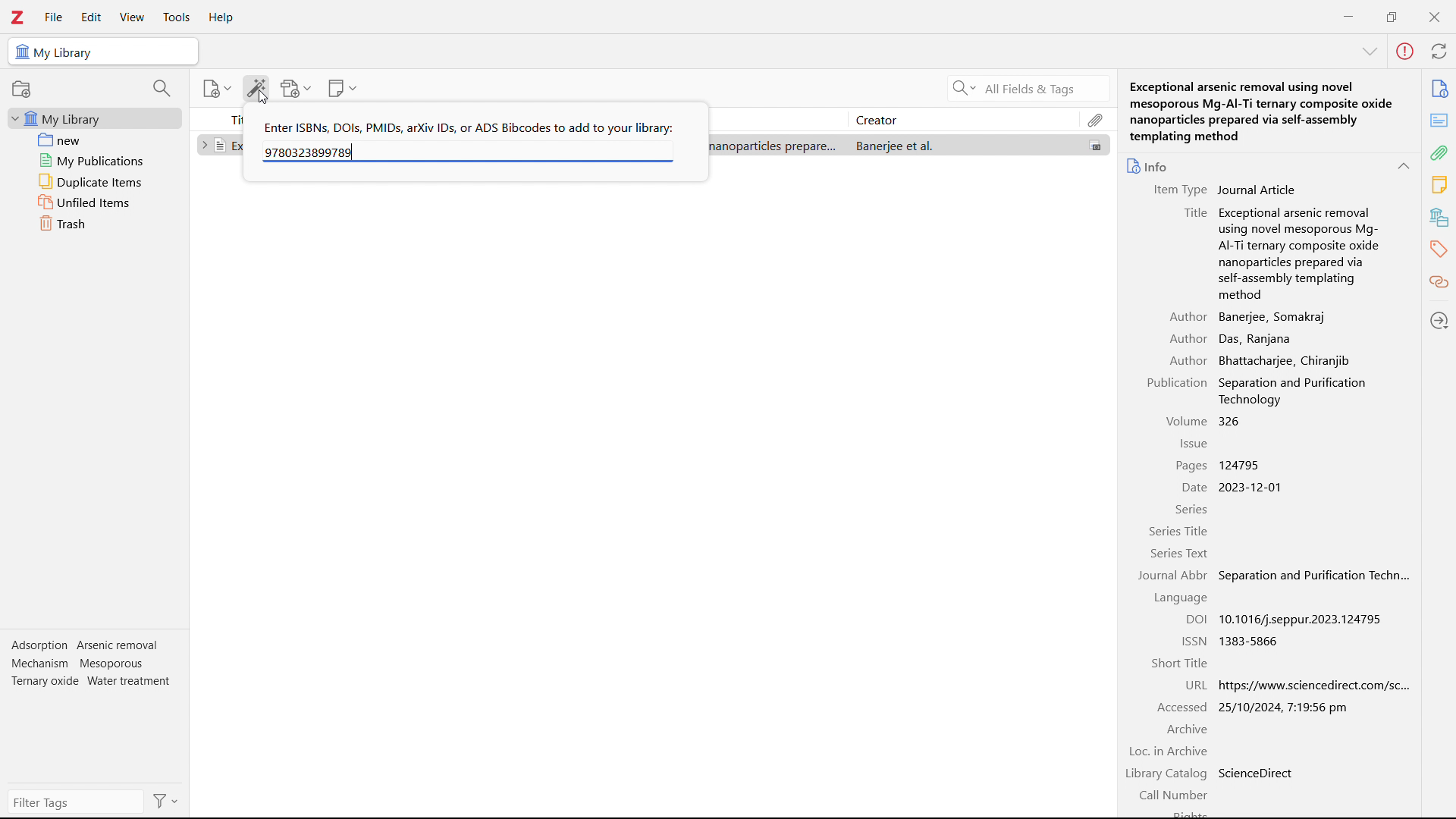  What do you see at coordinates (132, 17) in the screenshot?
I see `view` at bounding box center [132, 17].